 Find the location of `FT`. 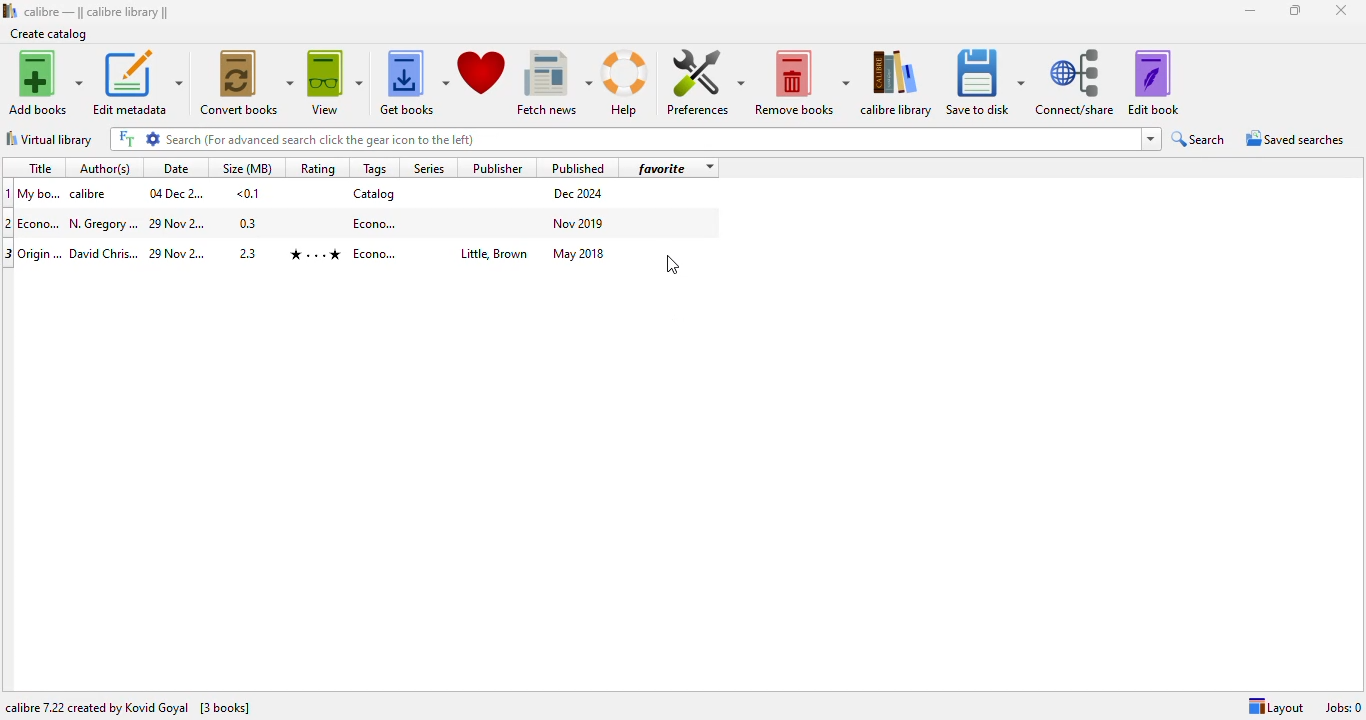

FT is located at coordinates (125, 139).